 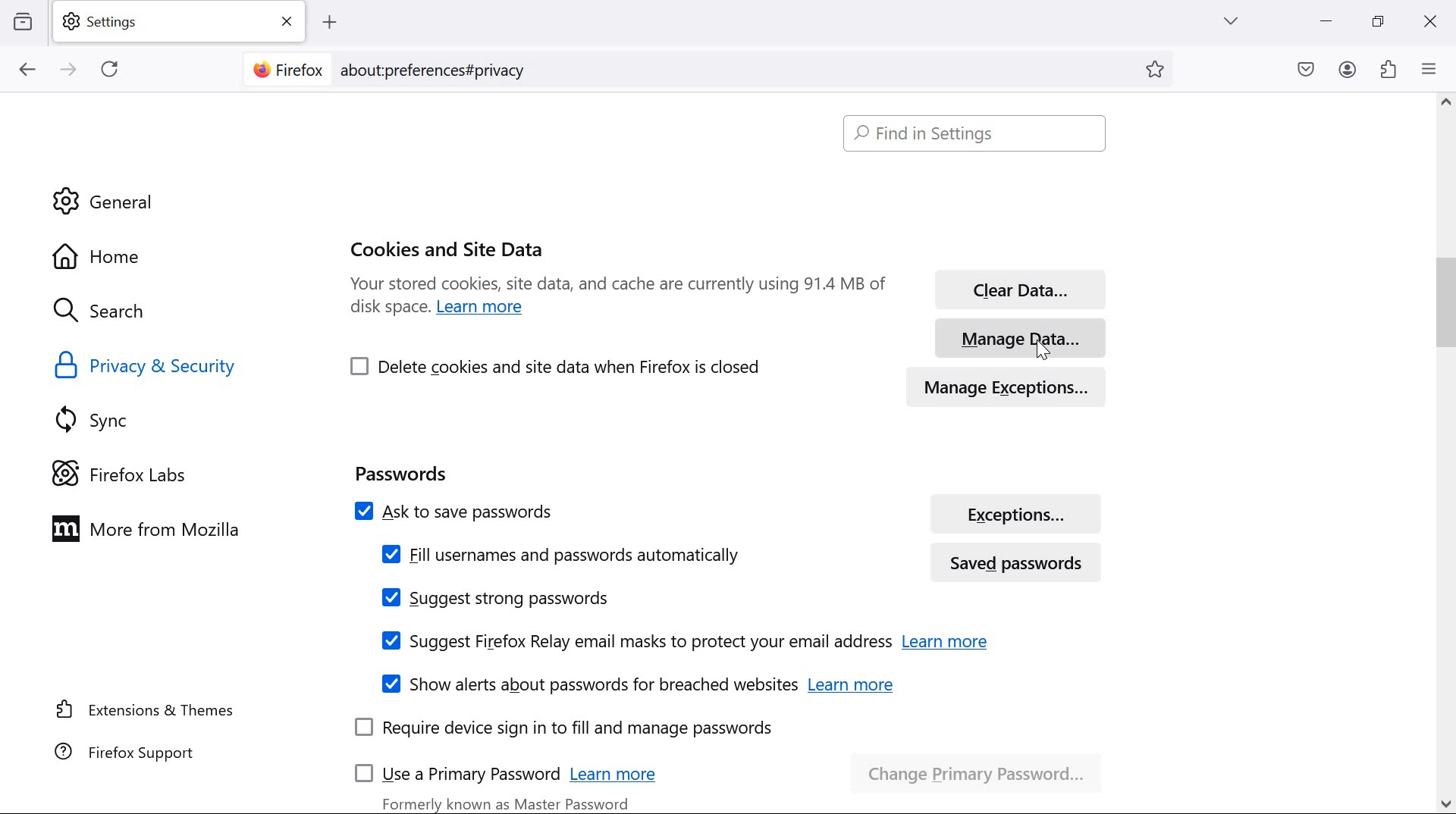 I want to click on restore down, so click(x=1379, y=20).